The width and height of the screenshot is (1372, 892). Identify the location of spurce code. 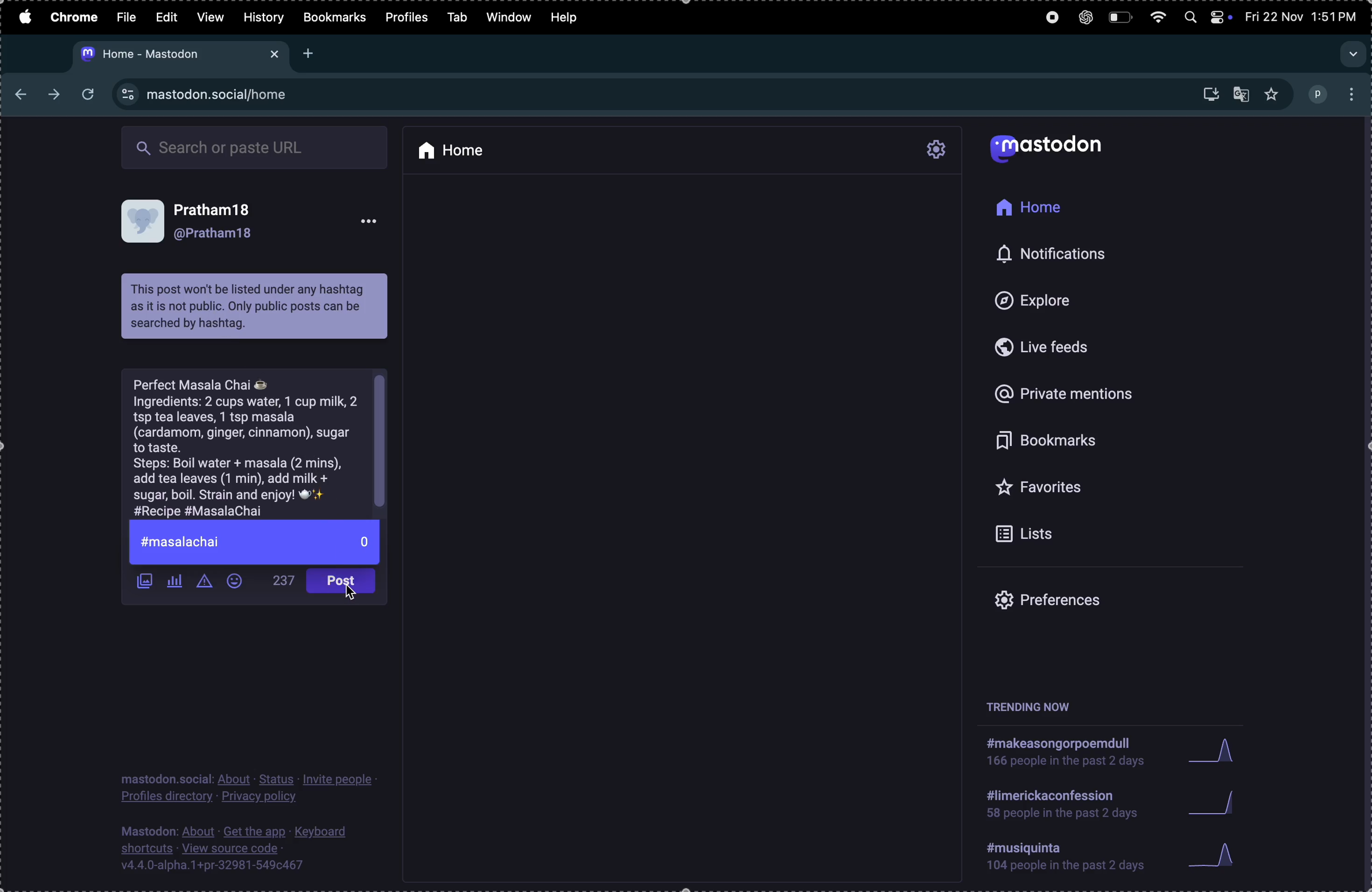
(235, 851).